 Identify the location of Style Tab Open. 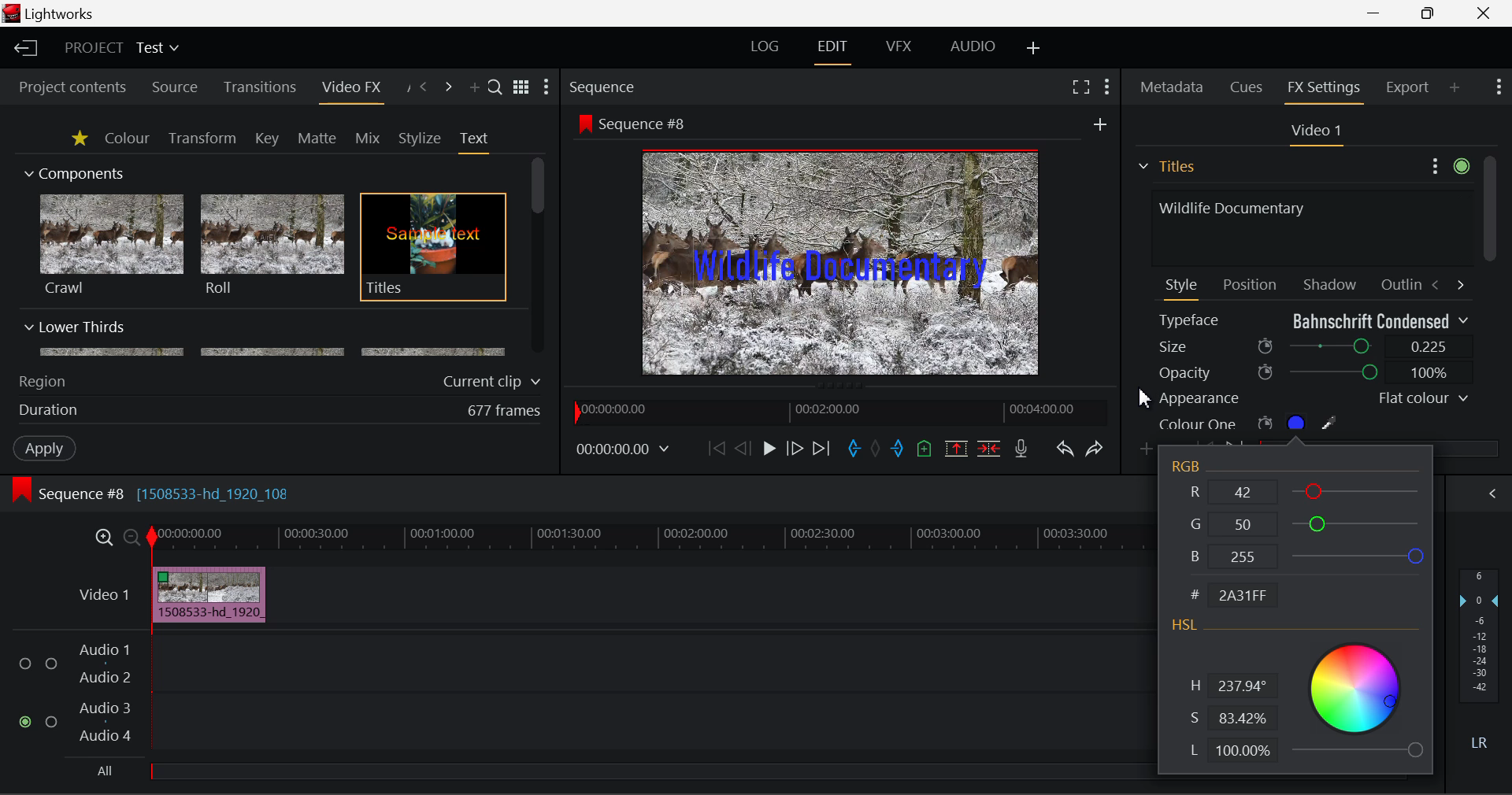
(1183, 288).